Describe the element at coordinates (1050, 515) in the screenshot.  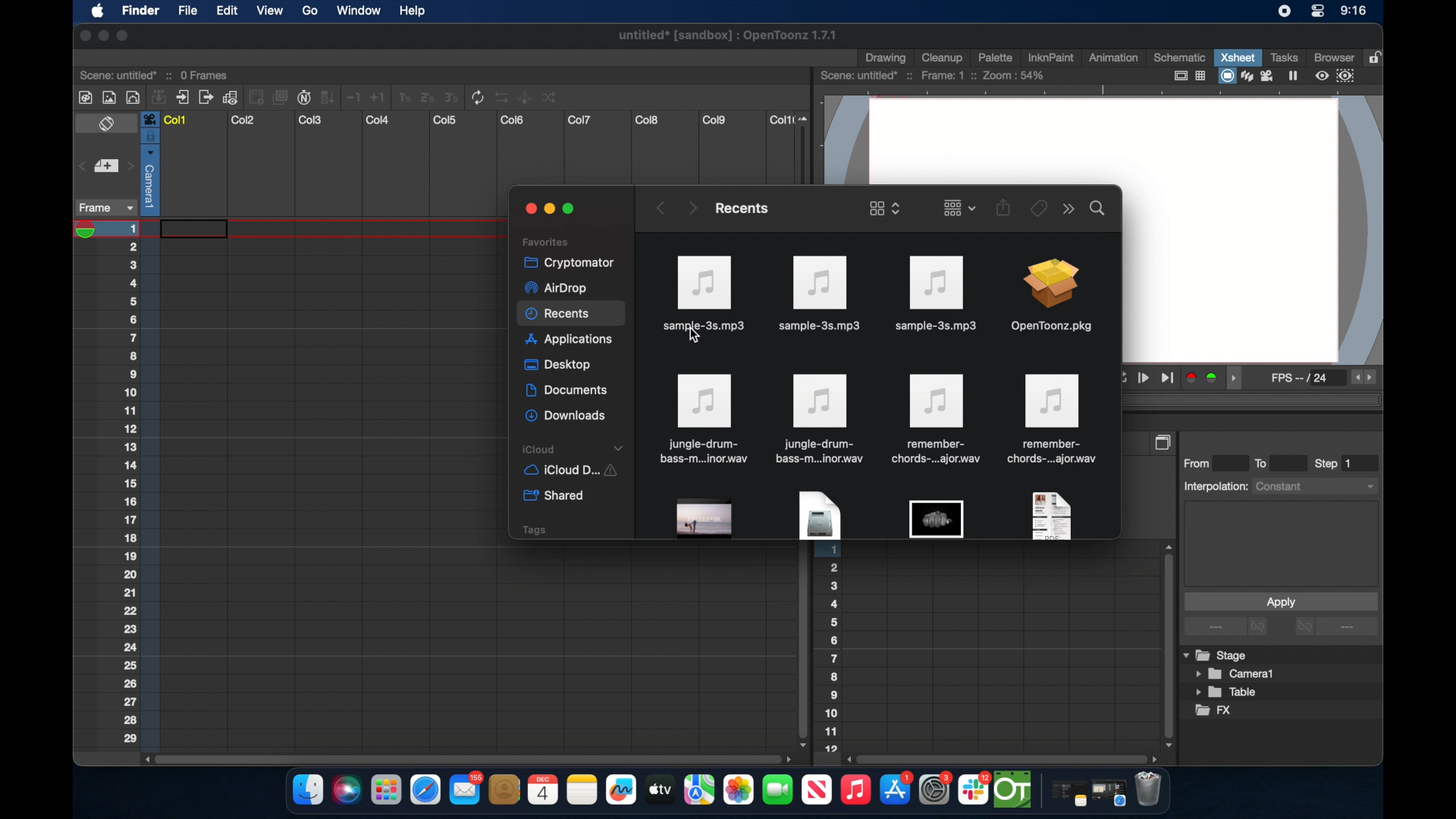
I see `obscure icon` at that location.